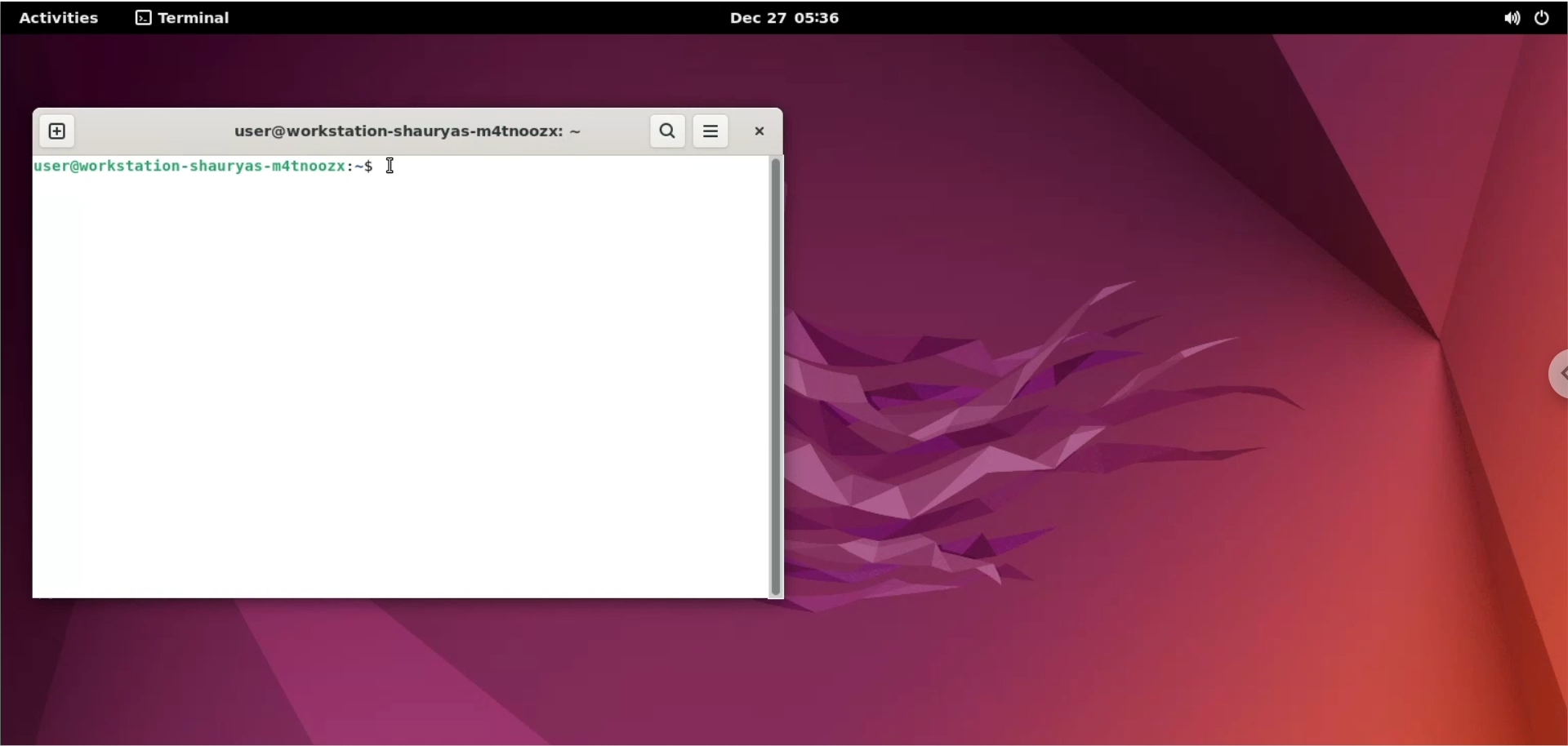 The height and width of the screenshot is (746, 1568). What do you see at coordinates (183, 18) in the screenshot?
I see `Terminal` at bounding box center [183, 18].